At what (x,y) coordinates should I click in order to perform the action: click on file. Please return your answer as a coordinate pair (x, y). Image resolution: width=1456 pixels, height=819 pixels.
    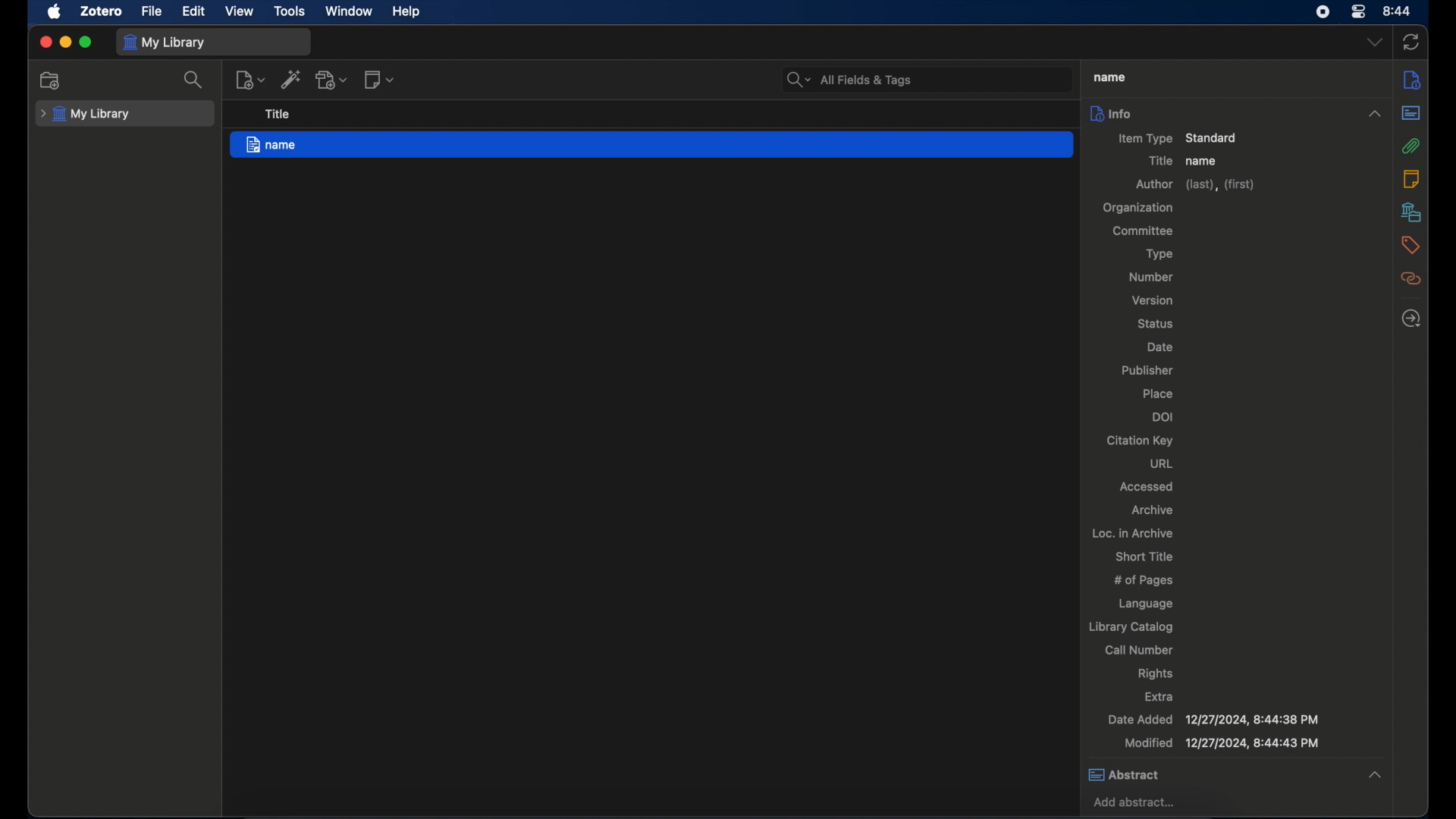
    Looking at the image, I should click on (151, 11).